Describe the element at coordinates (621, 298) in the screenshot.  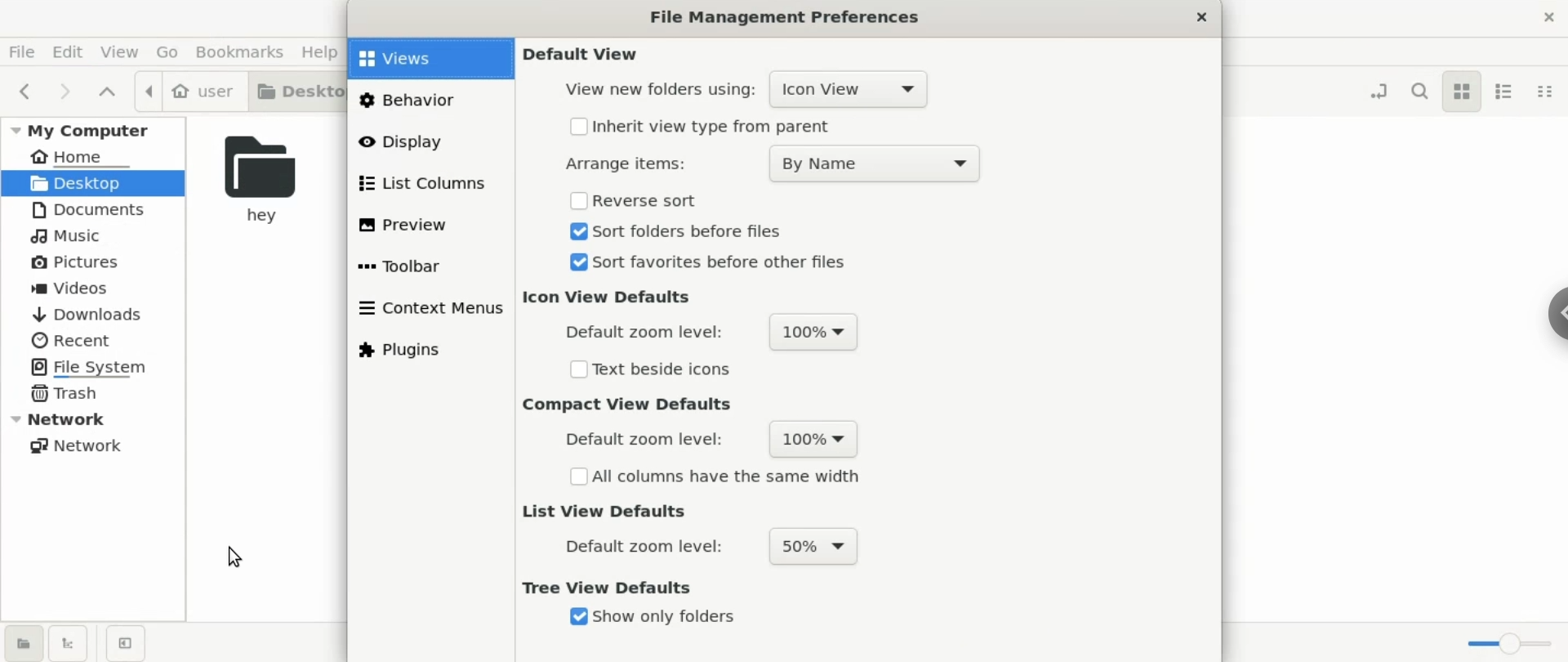
I see `icon view defaults` at that location.